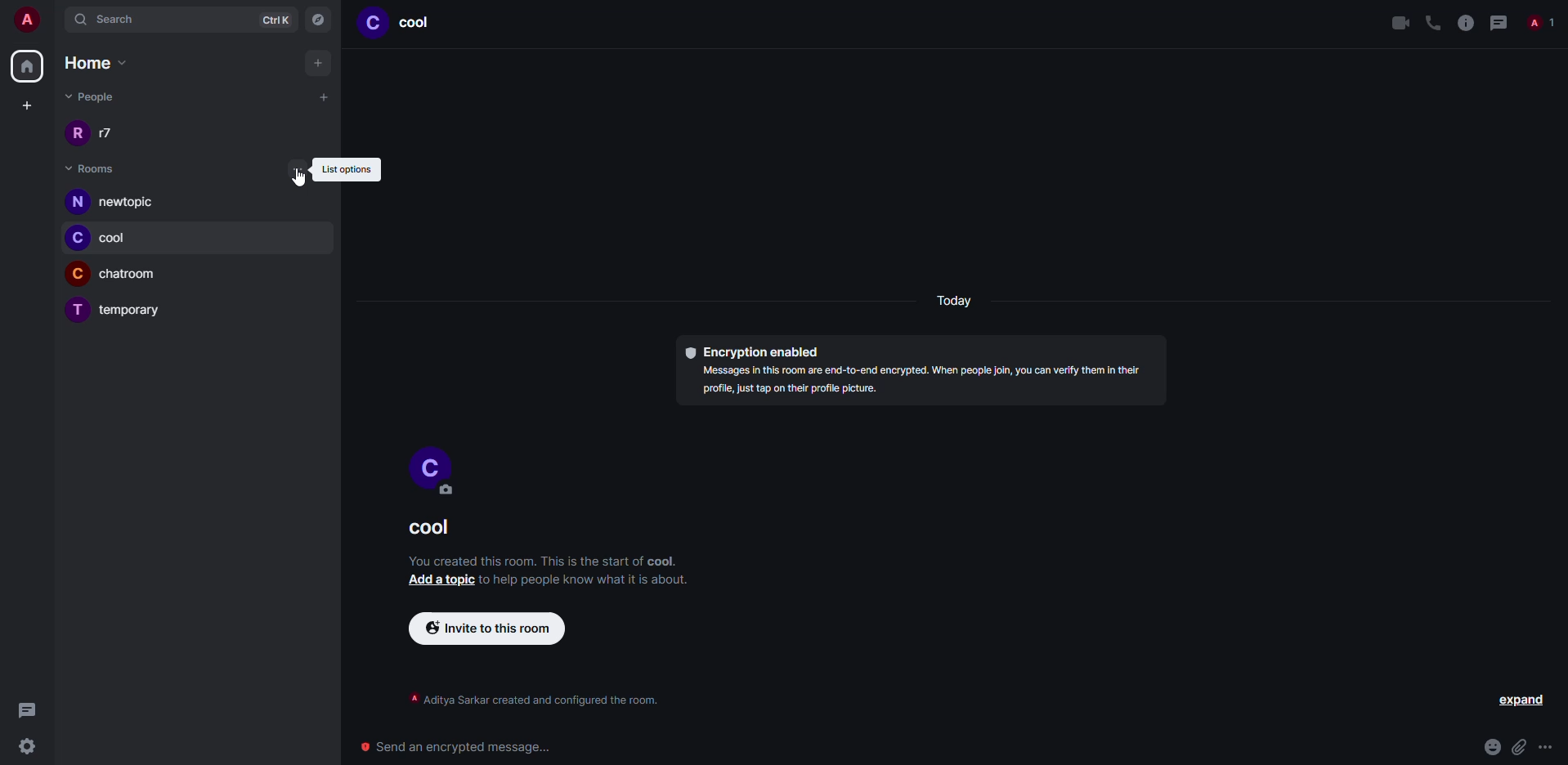 The image size is (1568, 765). Describe the element at coordinates (92, 168) in the screenshot. I see `rooms` at that location.